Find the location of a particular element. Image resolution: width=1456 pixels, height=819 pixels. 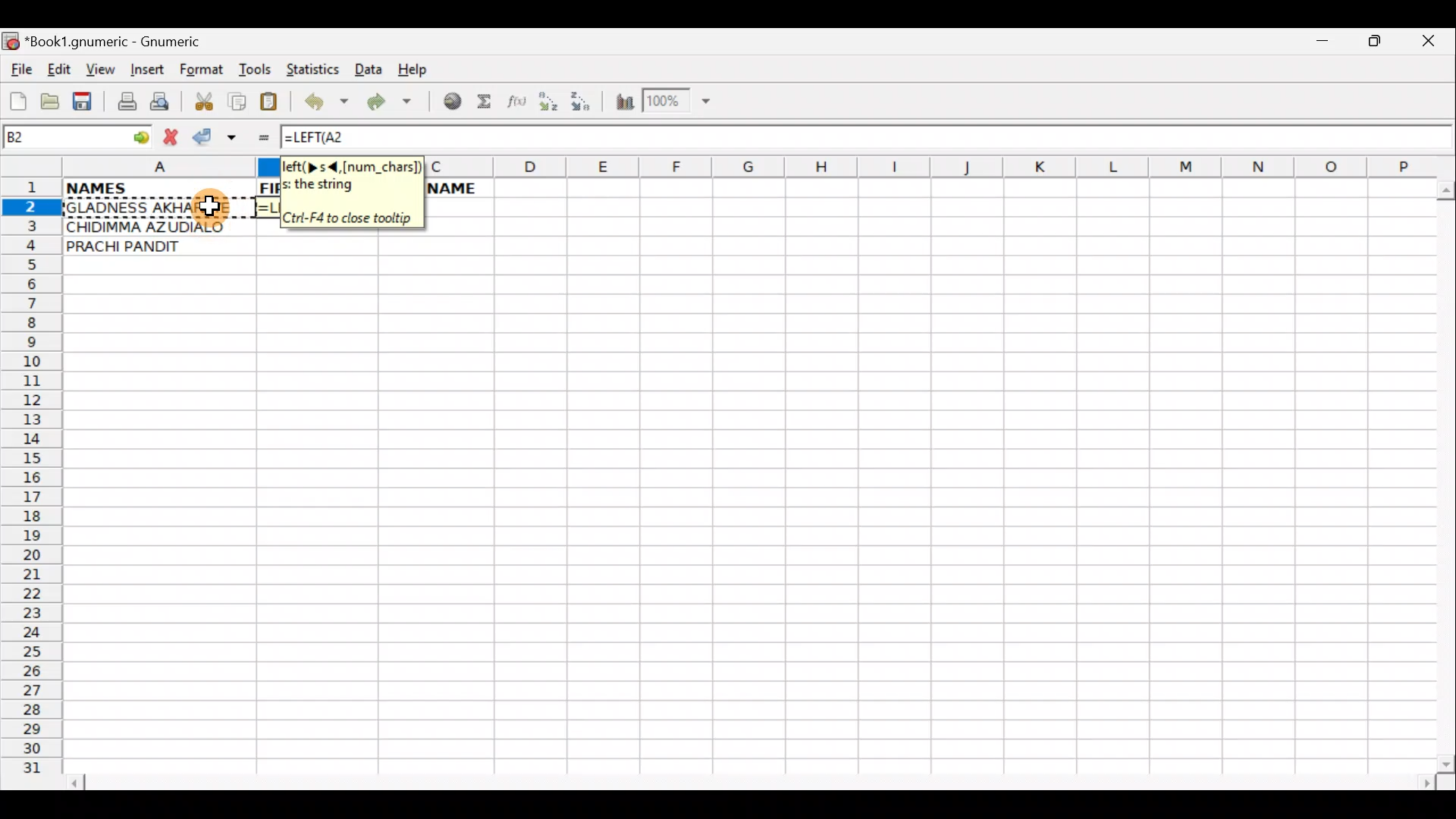

Redo undone action is located at coordinates (393, 104).